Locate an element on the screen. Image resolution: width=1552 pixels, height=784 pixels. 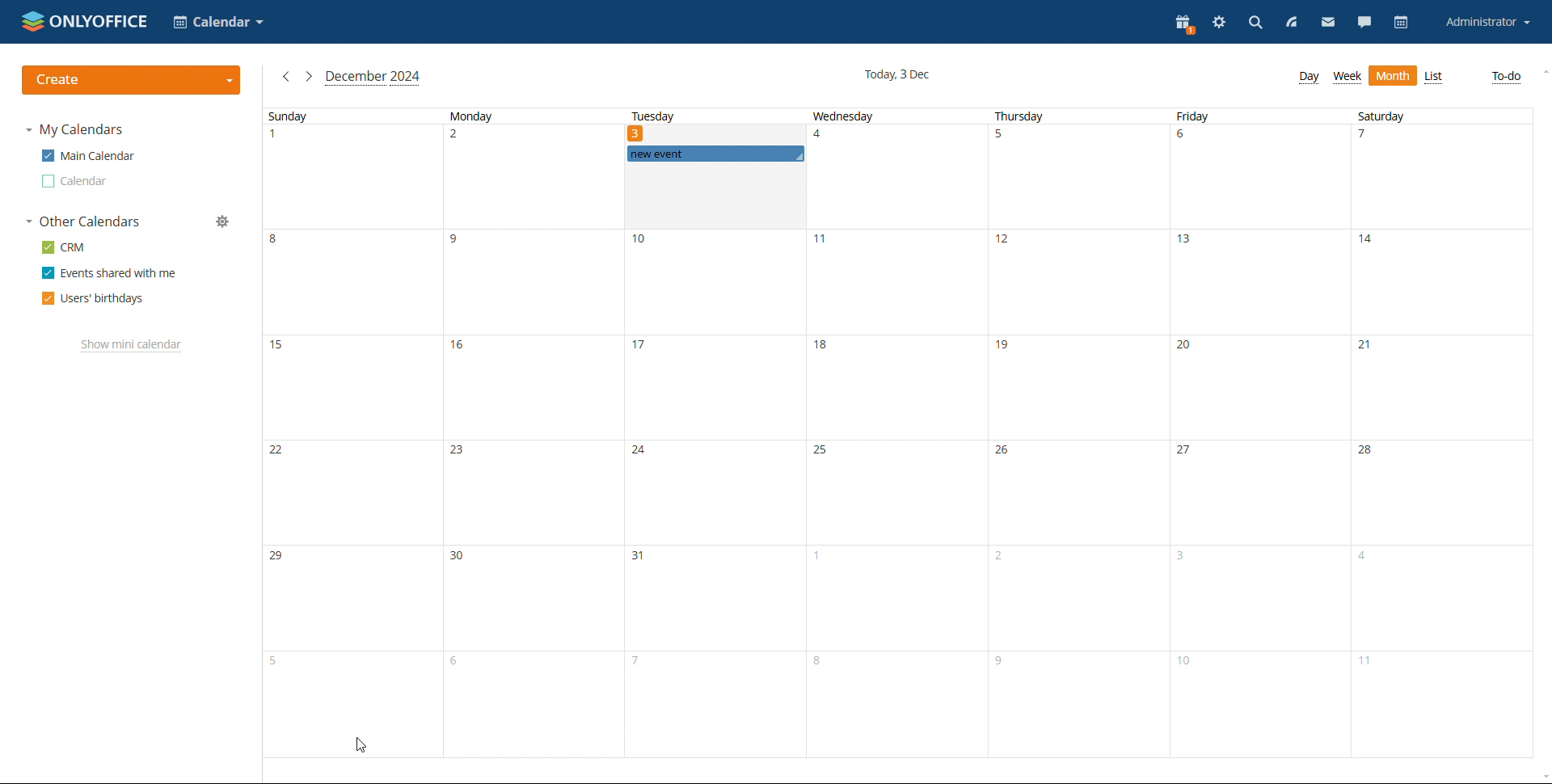
day view is located at coordinates (1311, 78).